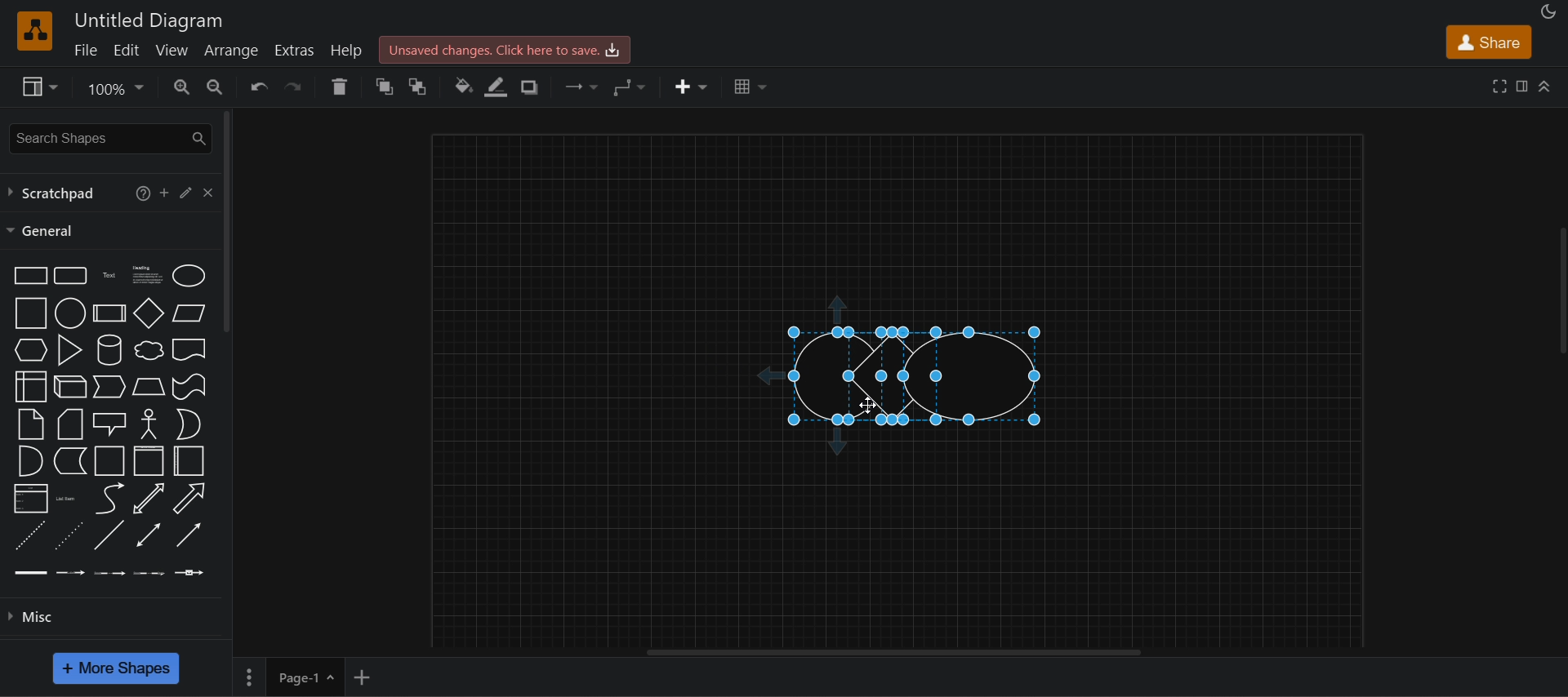  I want to click on list, so click(29, 499).